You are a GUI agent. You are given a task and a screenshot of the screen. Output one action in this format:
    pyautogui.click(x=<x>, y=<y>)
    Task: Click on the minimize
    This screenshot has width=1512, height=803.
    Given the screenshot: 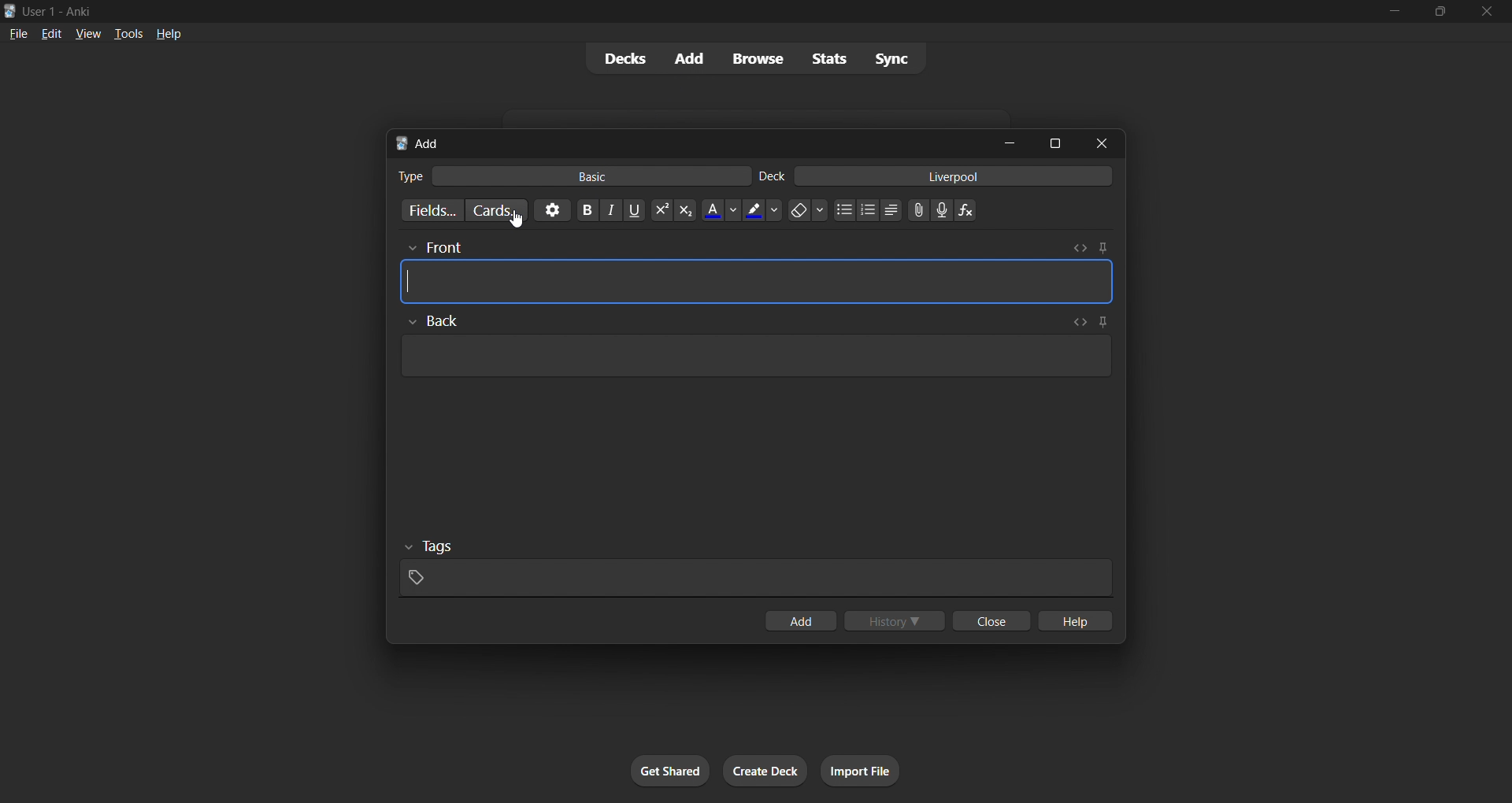 What is the action you would take?
    pyautogui.click(x=1010, y=140)
    